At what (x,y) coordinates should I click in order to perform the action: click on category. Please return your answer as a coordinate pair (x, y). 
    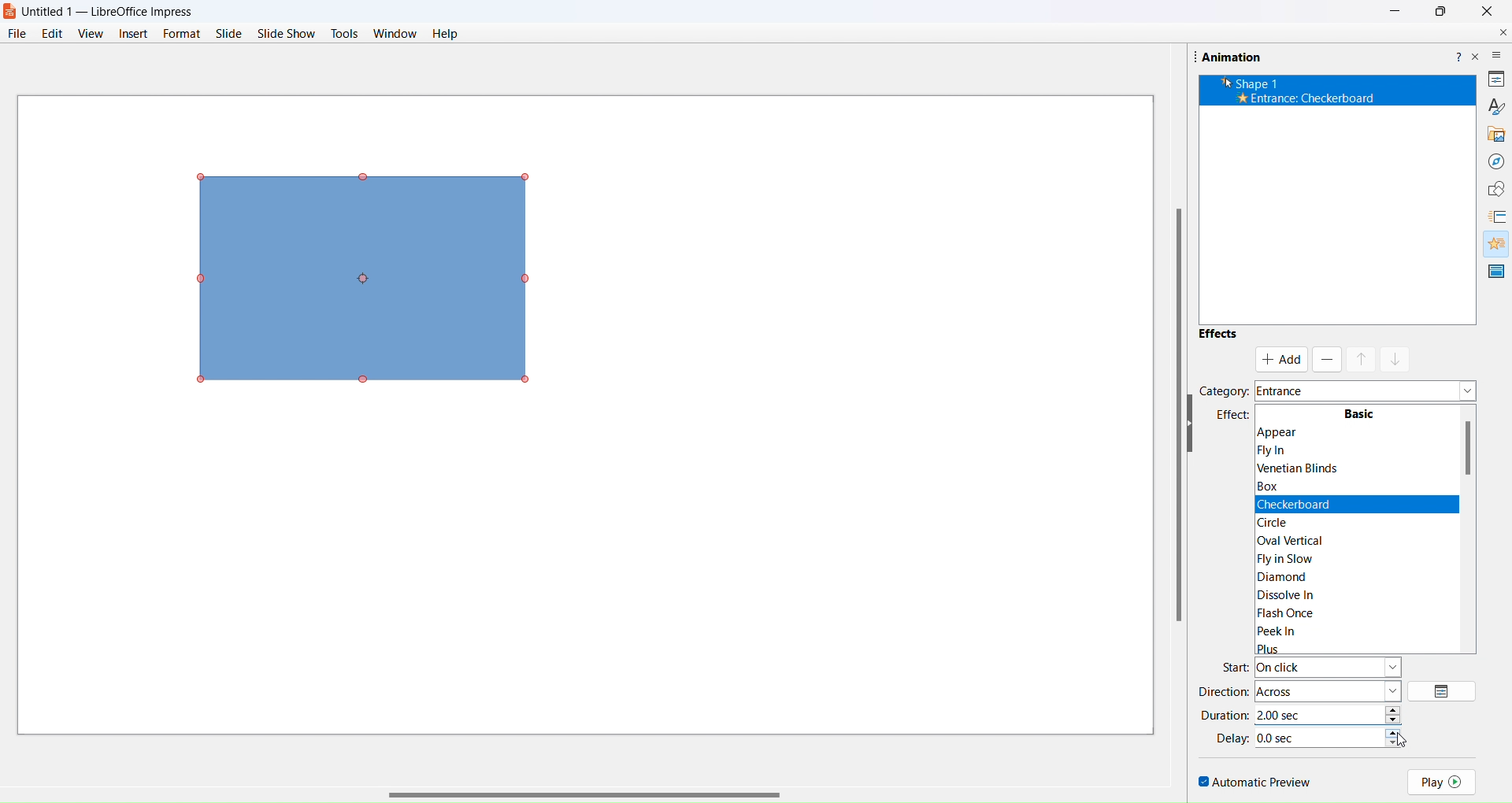
    Looking at the image, I should click on (1224, 390).